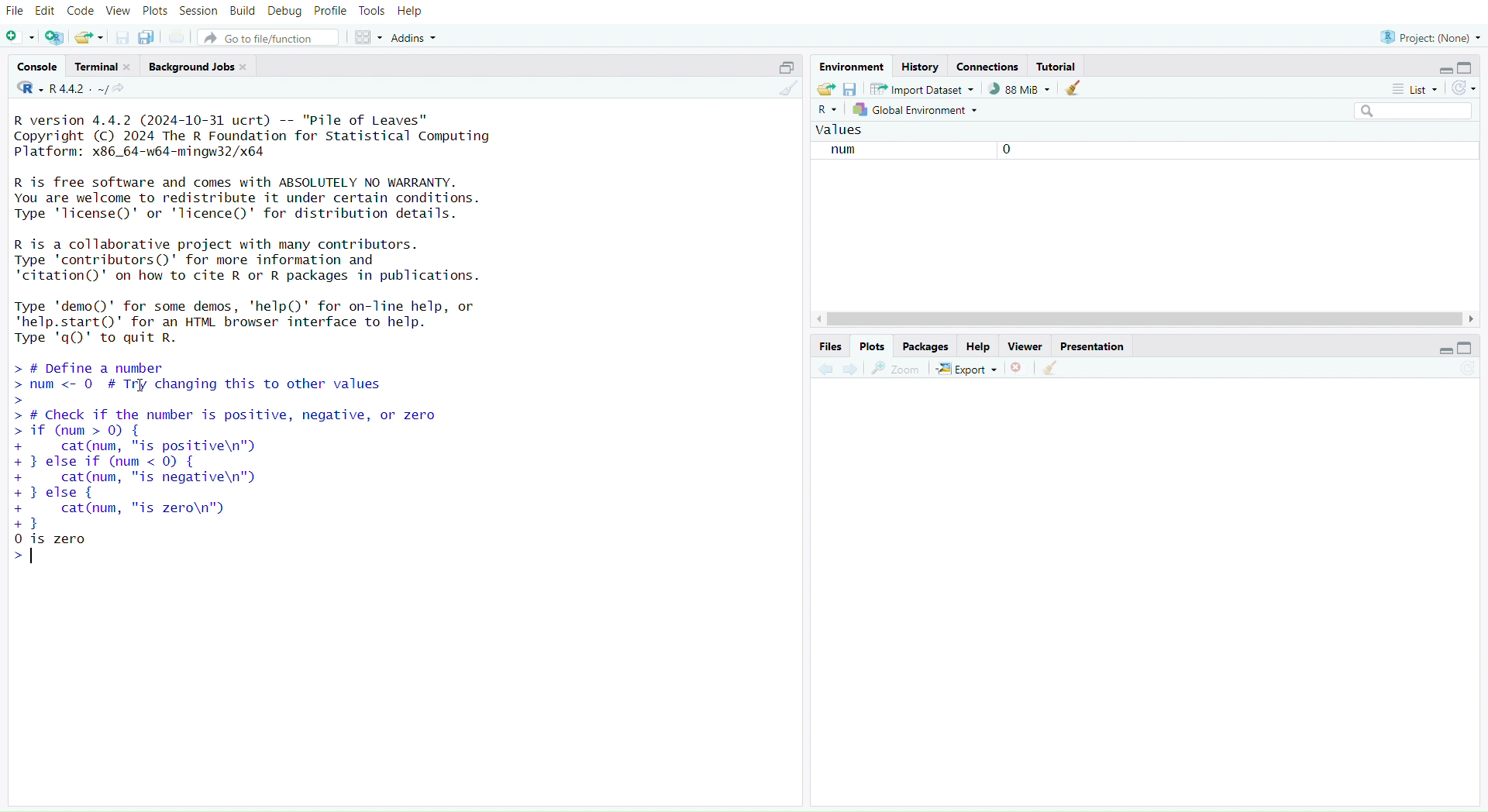 The width and height of the screenshot is (1488, 812). Describe the element at coordinates (370, 38) in the screenshot. I see `workspace panes` at that location.